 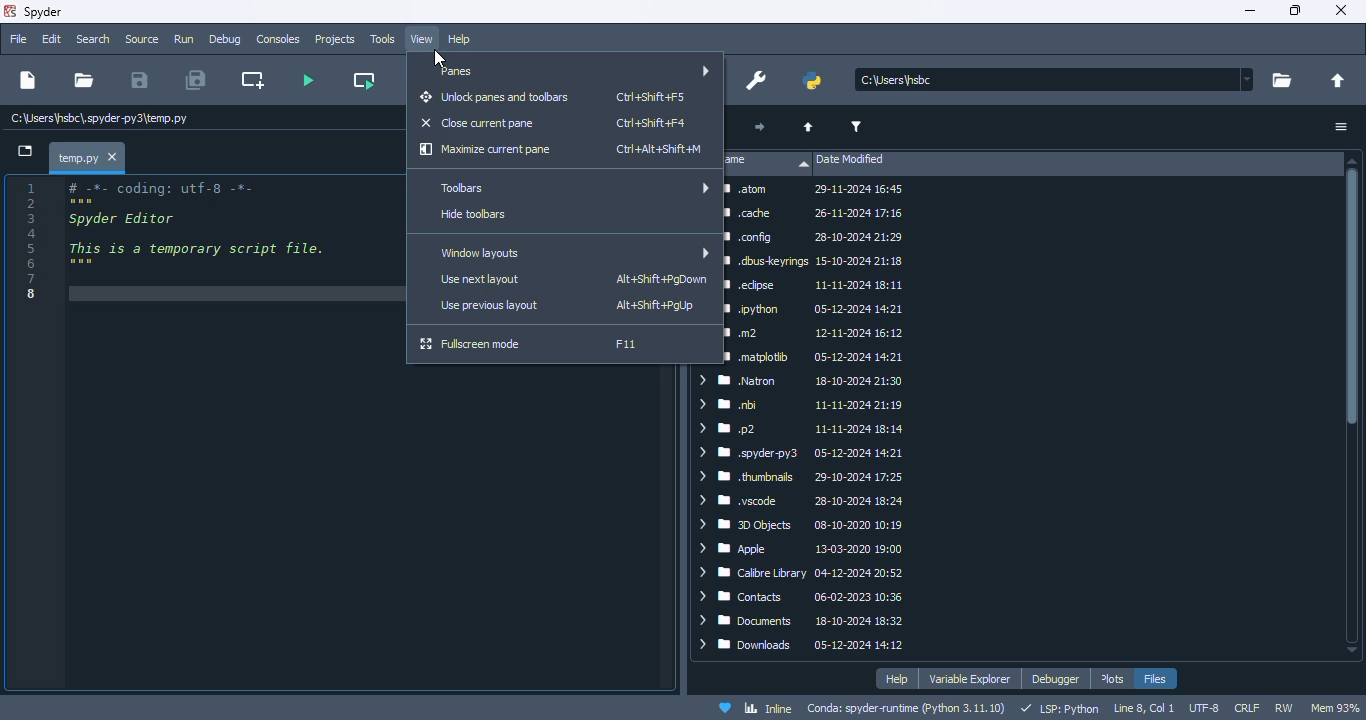 What do you see at coordinates (477, 122) in the screenshot?
I see `close current pane` at bounding box center [477, 122].